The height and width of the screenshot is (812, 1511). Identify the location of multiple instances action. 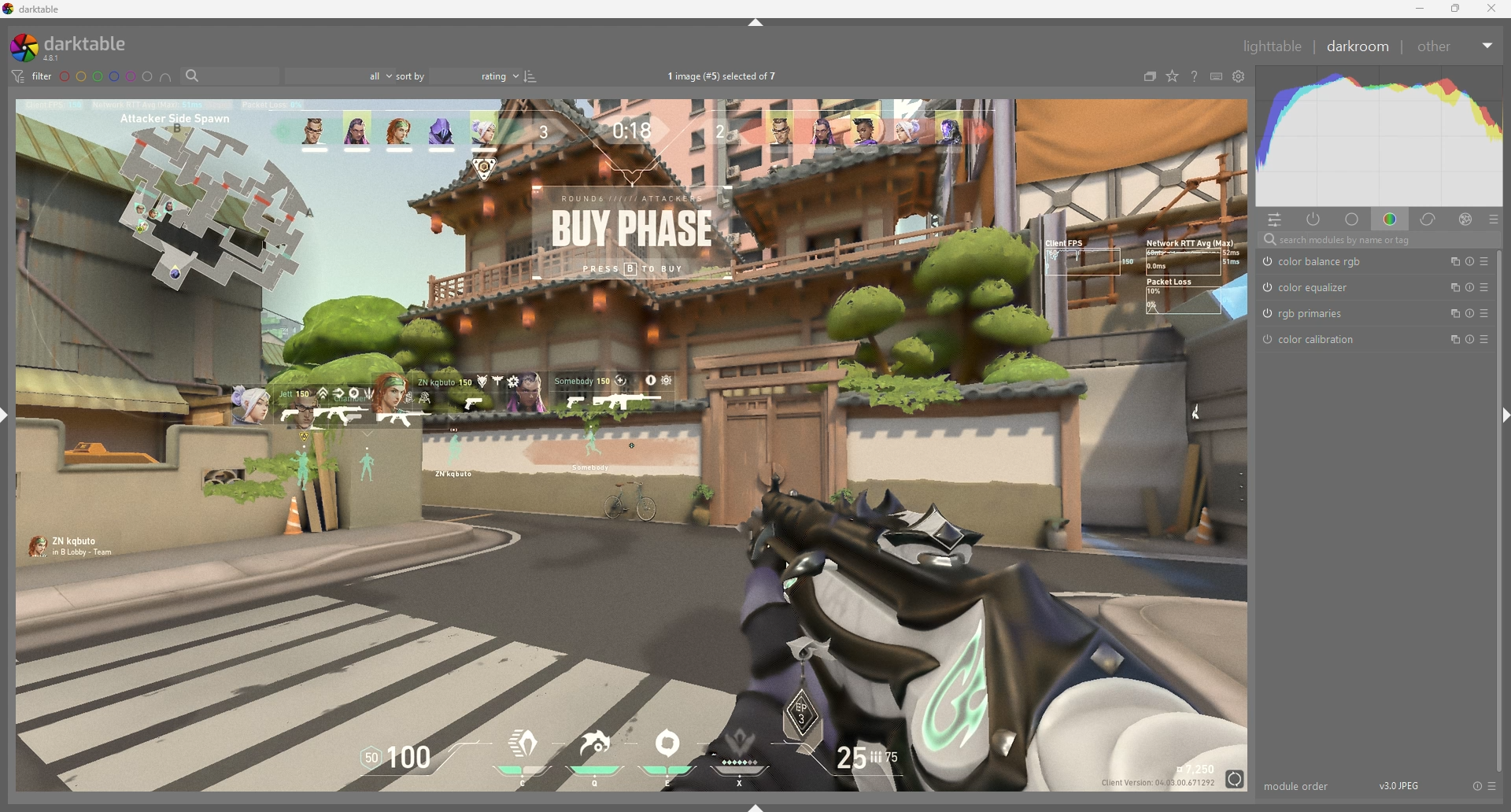
(1451, 287).